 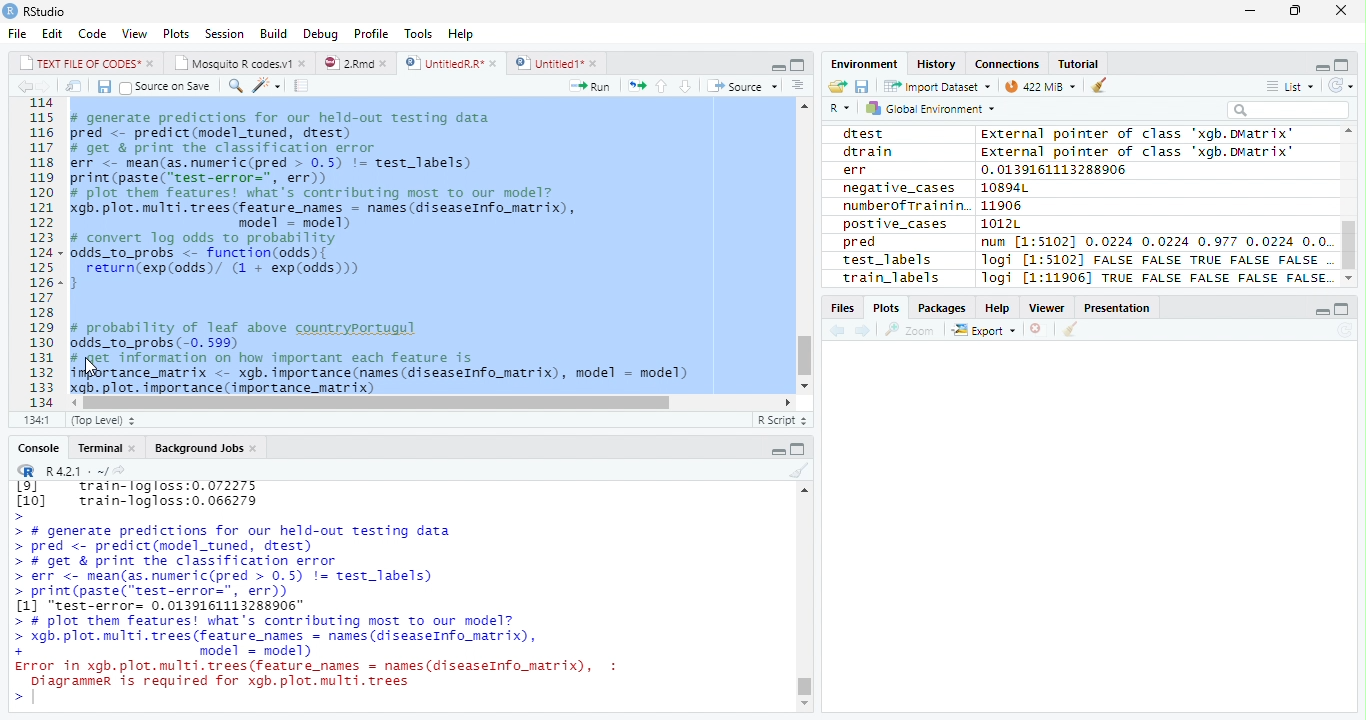 I want to click on Presentation, so click(x=1119, y=306).